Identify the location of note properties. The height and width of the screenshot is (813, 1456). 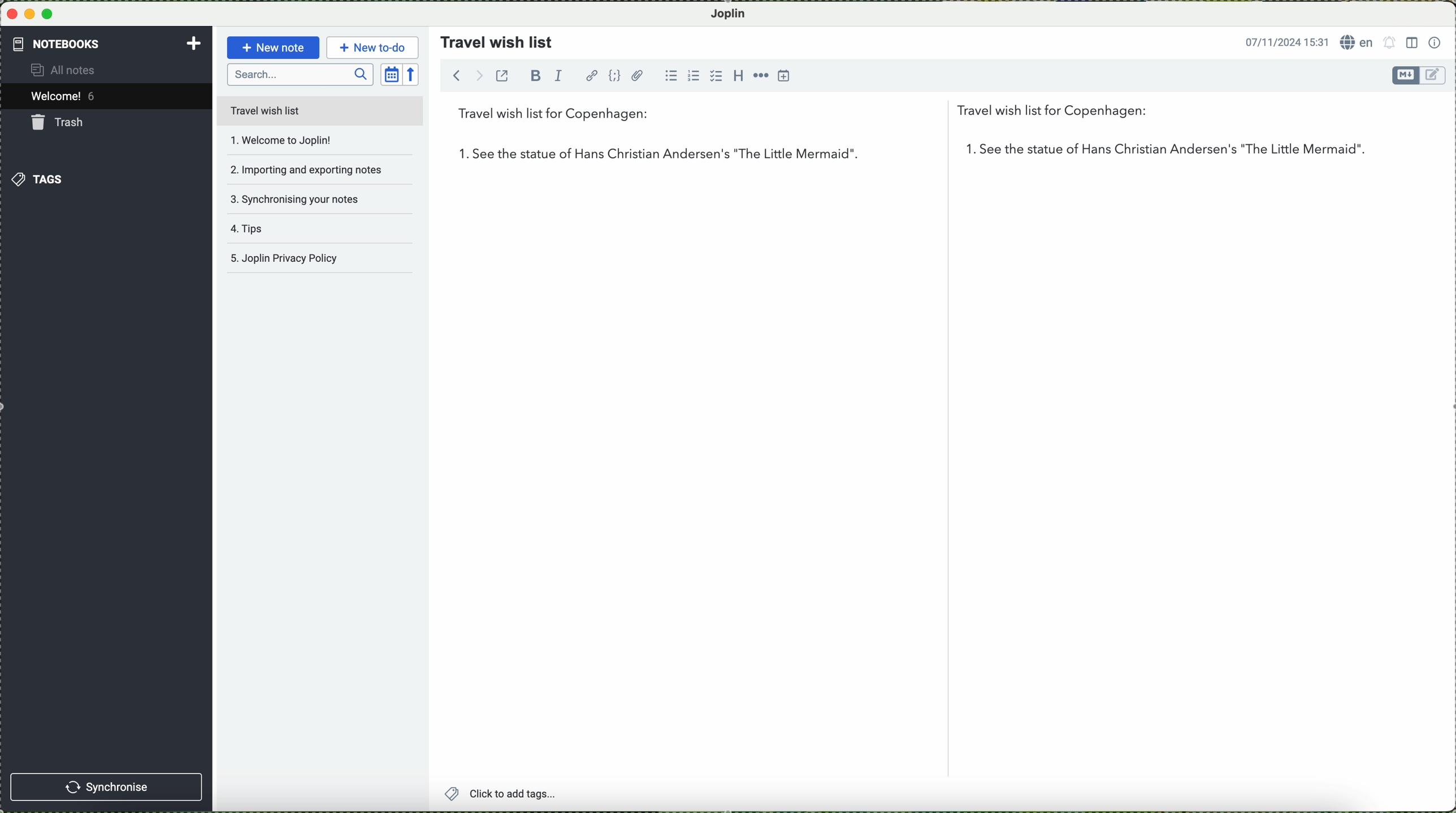
(1435, 41).